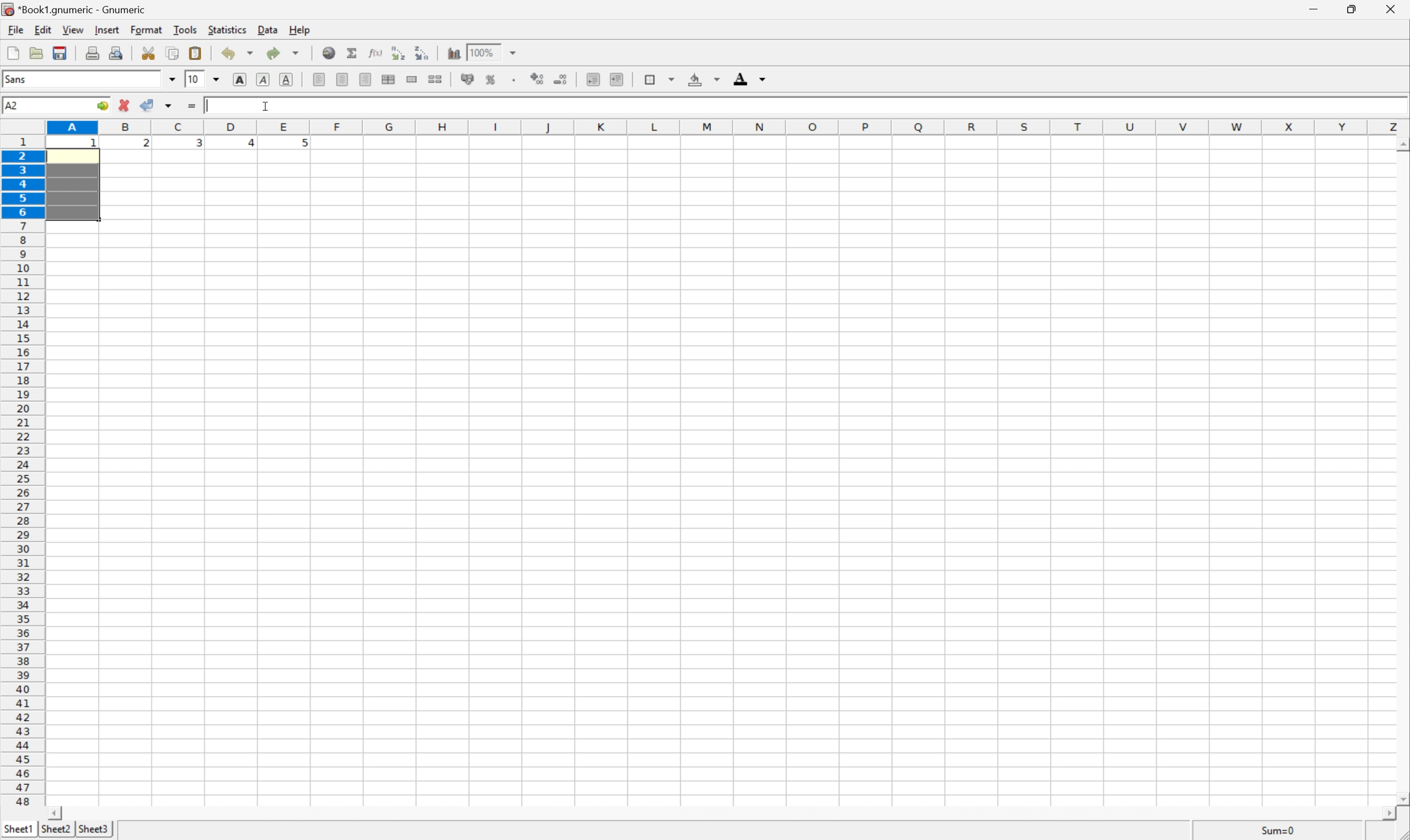 The width and height of the screenshot is (1410, 840). I want to click on 3, so click(198, 145).